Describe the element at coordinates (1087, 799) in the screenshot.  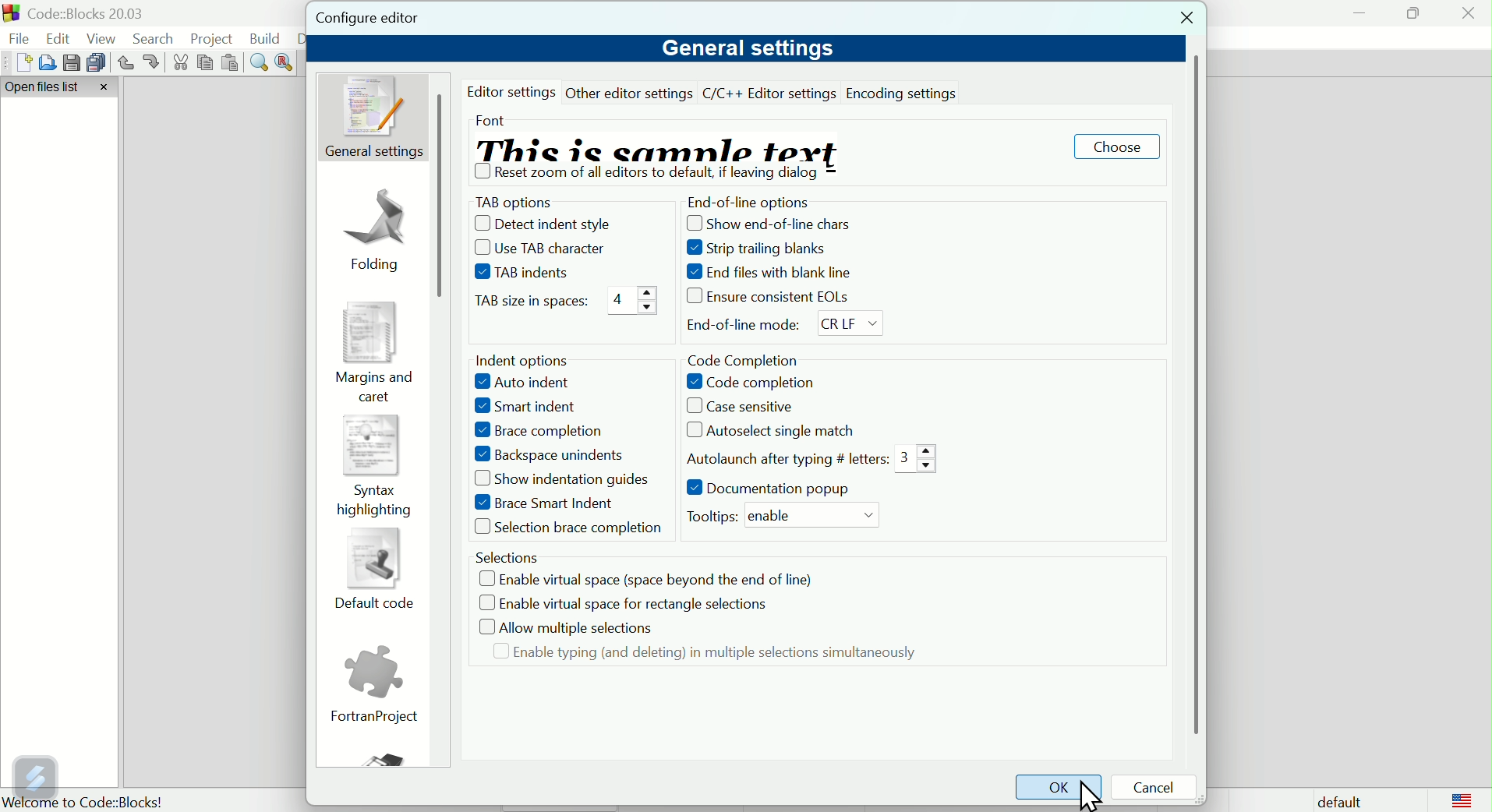
I see `Cursor` at that location.